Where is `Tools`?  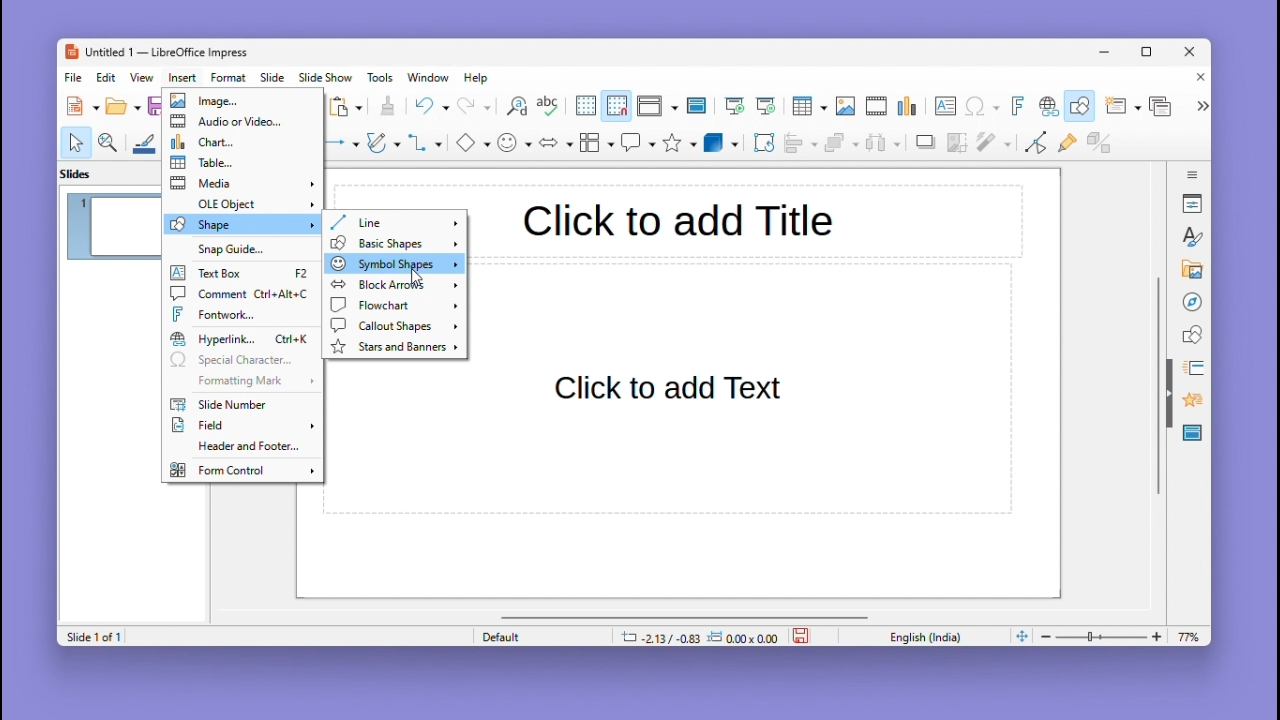
Tools is located at coordinates (383, 77).